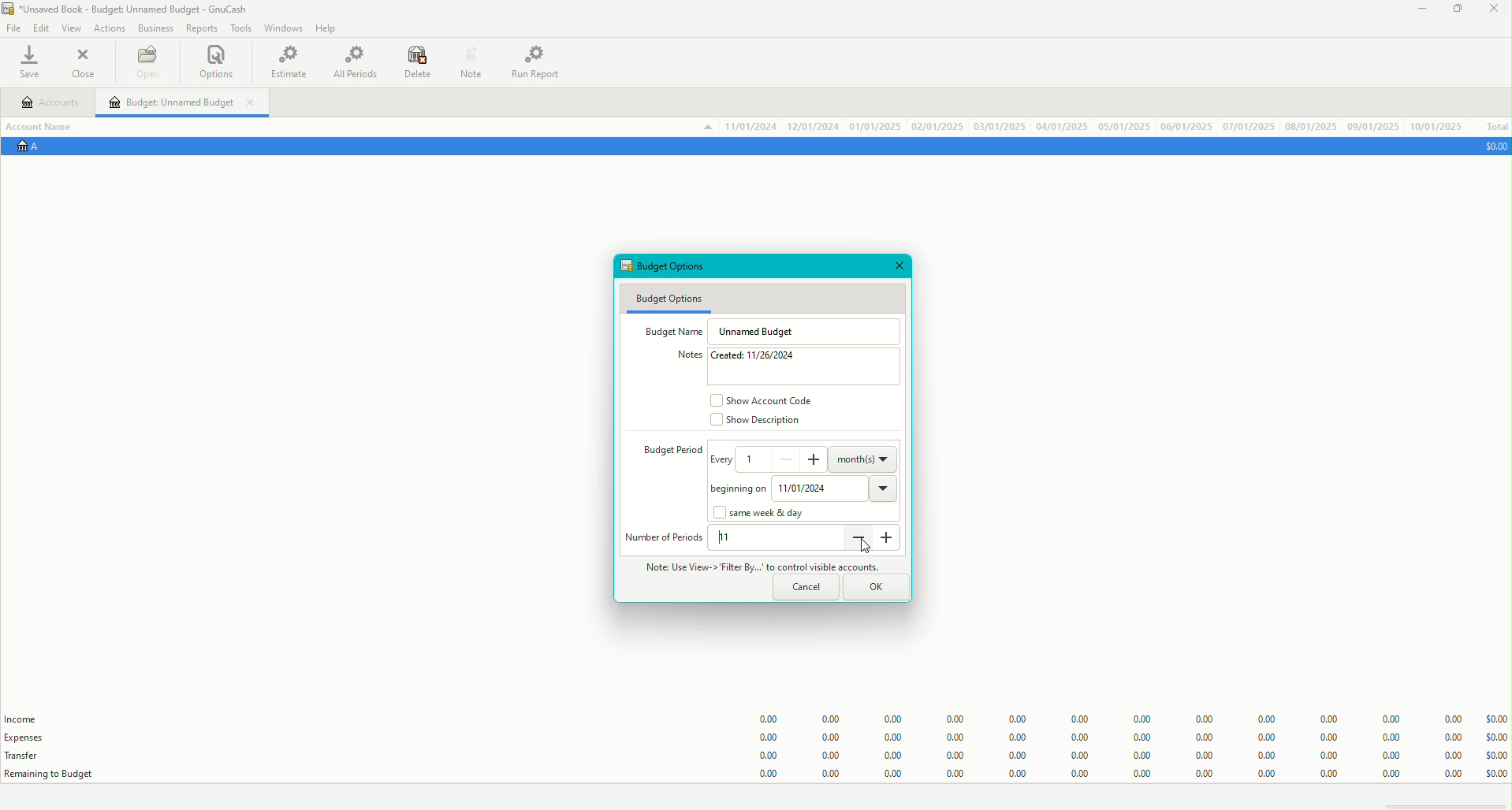 The image size is (1512, 810). What do you see at coordinates (761, 357) in the screenshot?
I see `Created: 11/26/2024` at bounding box center [761, 357].